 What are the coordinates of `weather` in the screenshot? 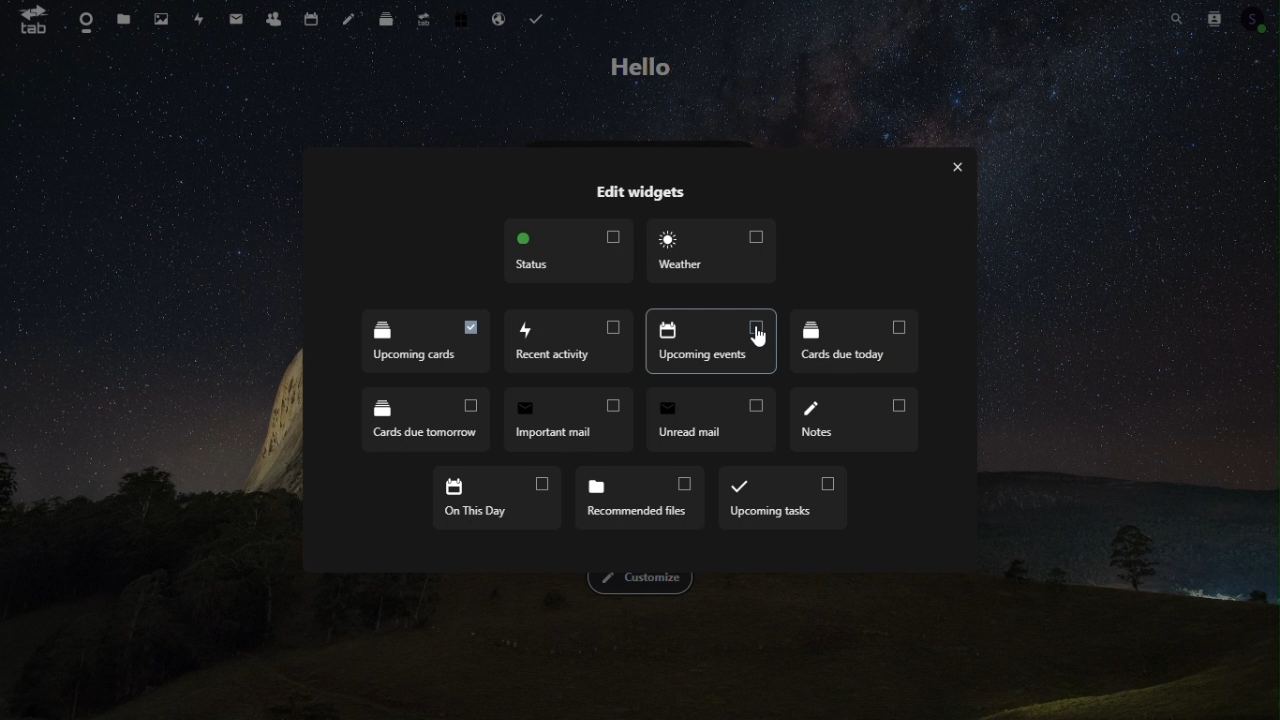 It's located at (711, 249).